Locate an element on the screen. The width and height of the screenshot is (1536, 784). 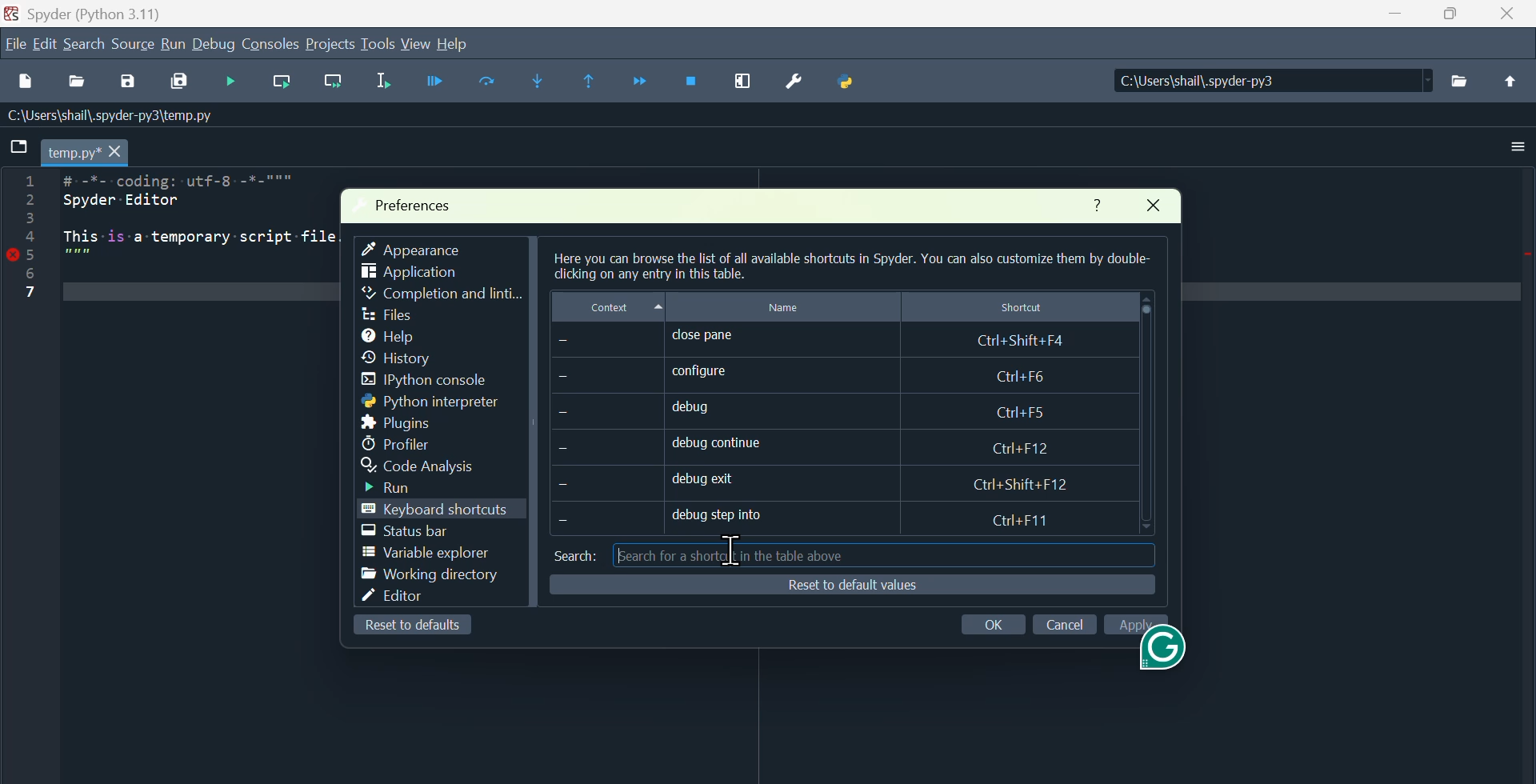
Locations of the fire is located at coordinates (1264, 86).